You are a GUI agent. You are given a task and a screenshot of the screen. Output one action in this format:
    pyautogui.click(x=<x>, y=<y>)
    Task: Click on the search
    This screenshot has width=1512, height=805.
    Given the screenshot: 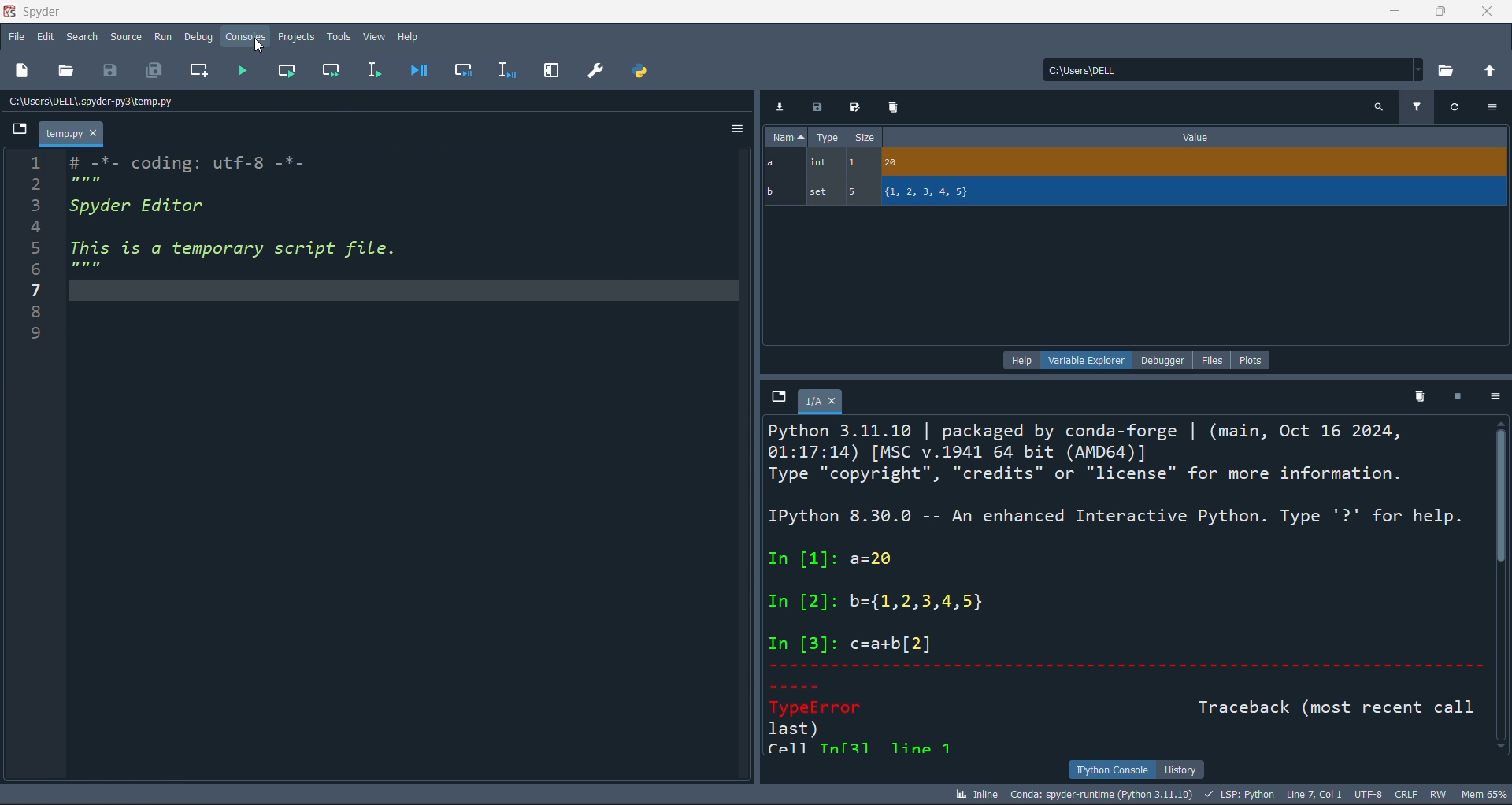 What is the action you would take?
    pyautogui.click(x=82, y=37)
    